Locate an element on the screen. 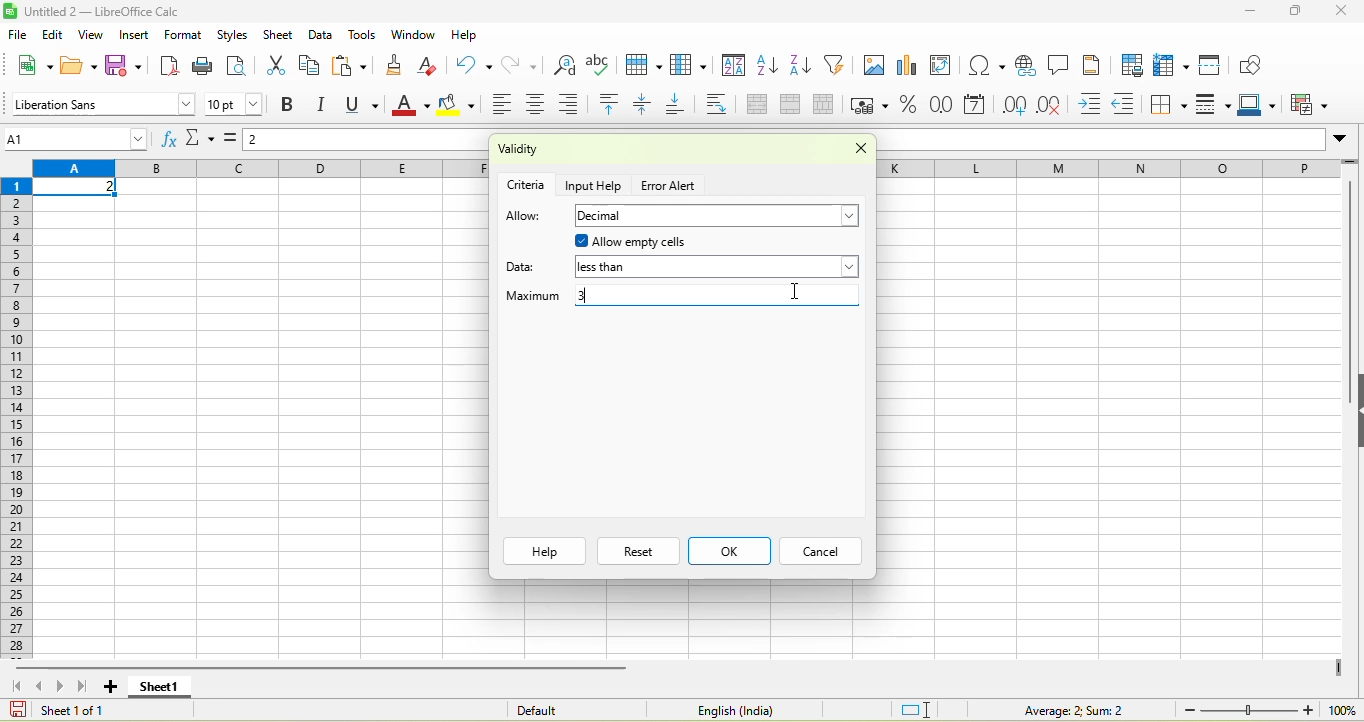  font size is located at coordinates (235, 104).